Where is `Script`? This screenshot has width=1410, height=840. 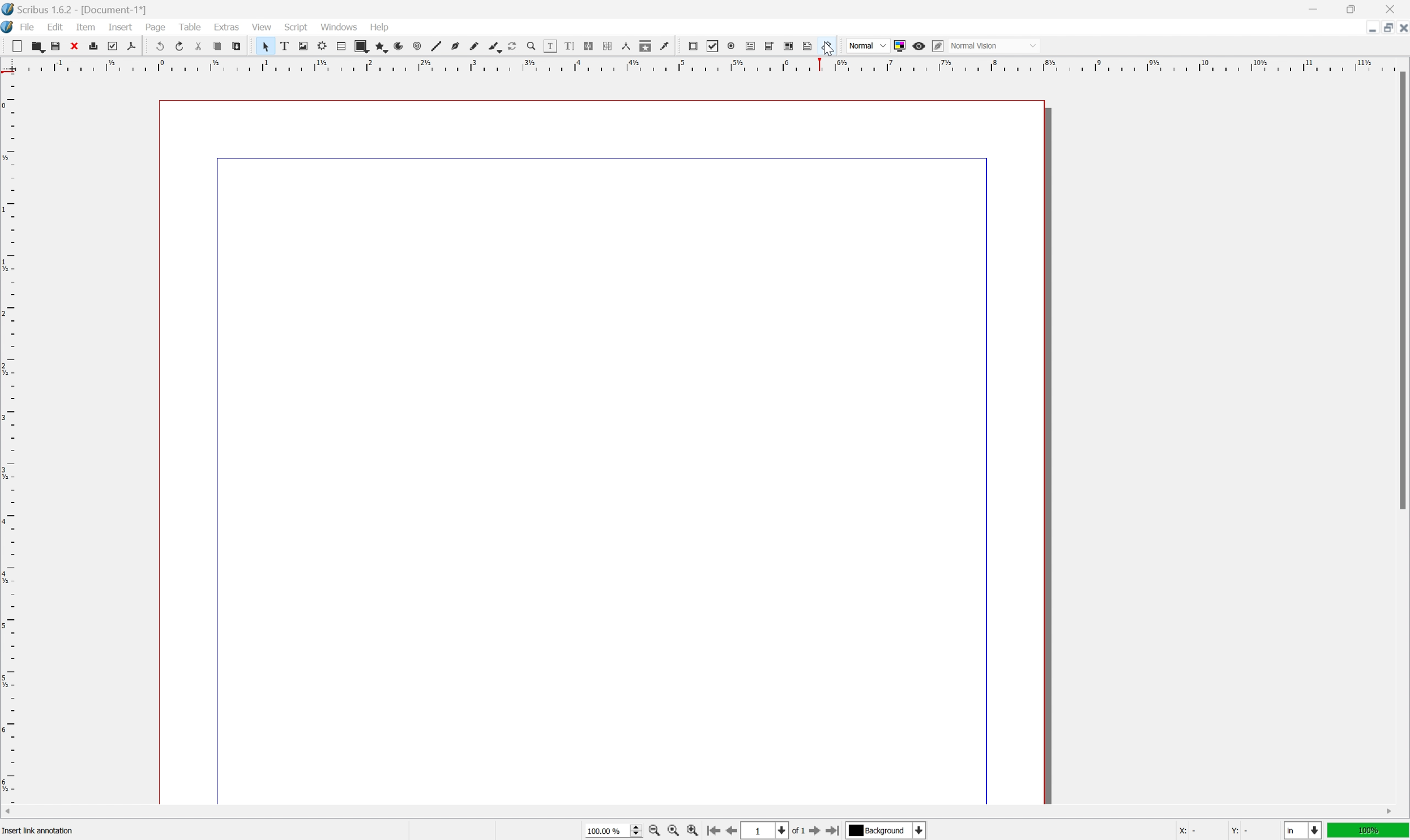 Script is located at coordinates (297, 26).